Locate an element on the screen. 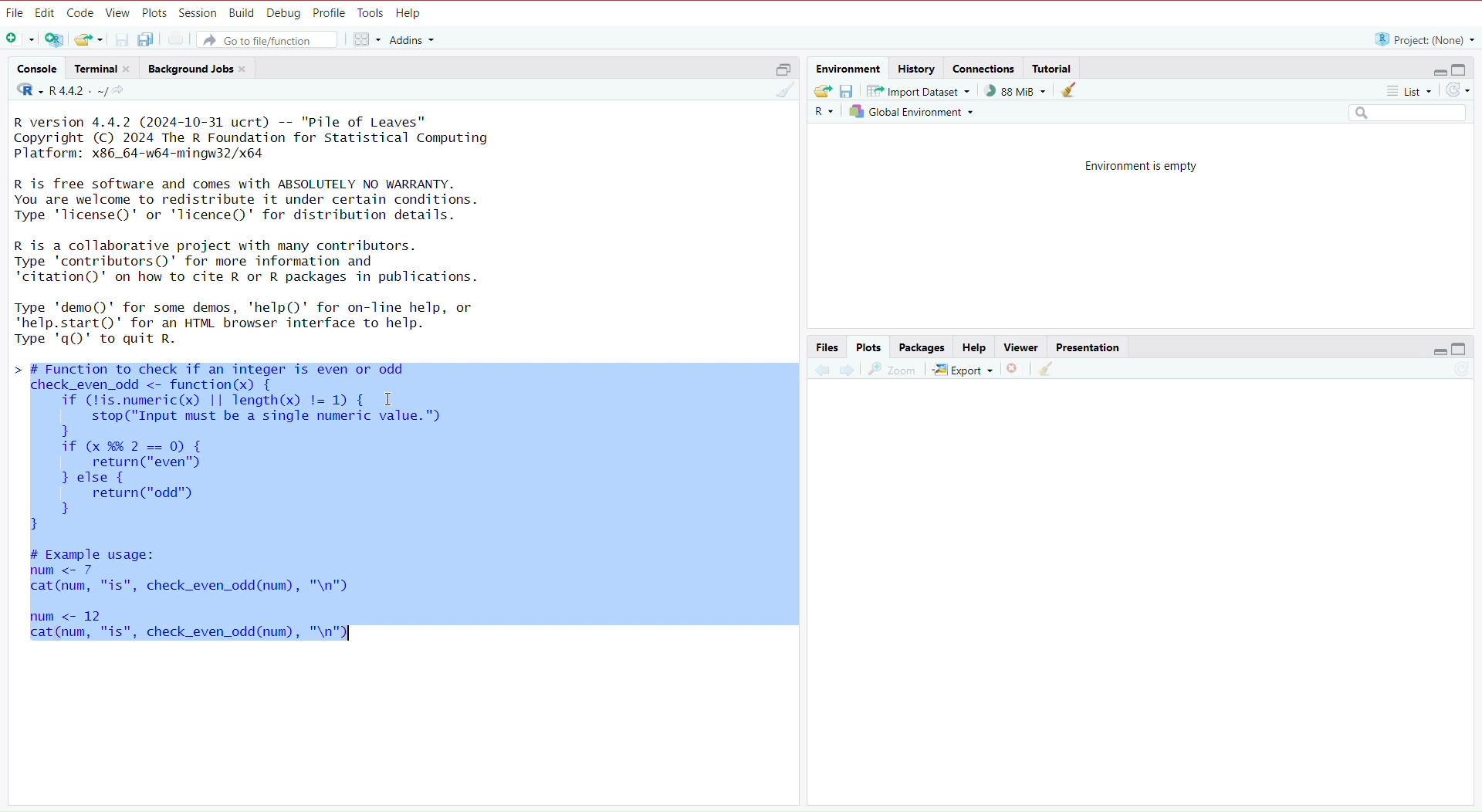 This screenshot has width=1482, height=812. R. 4.4.2 is located at coordinates (59, 91).